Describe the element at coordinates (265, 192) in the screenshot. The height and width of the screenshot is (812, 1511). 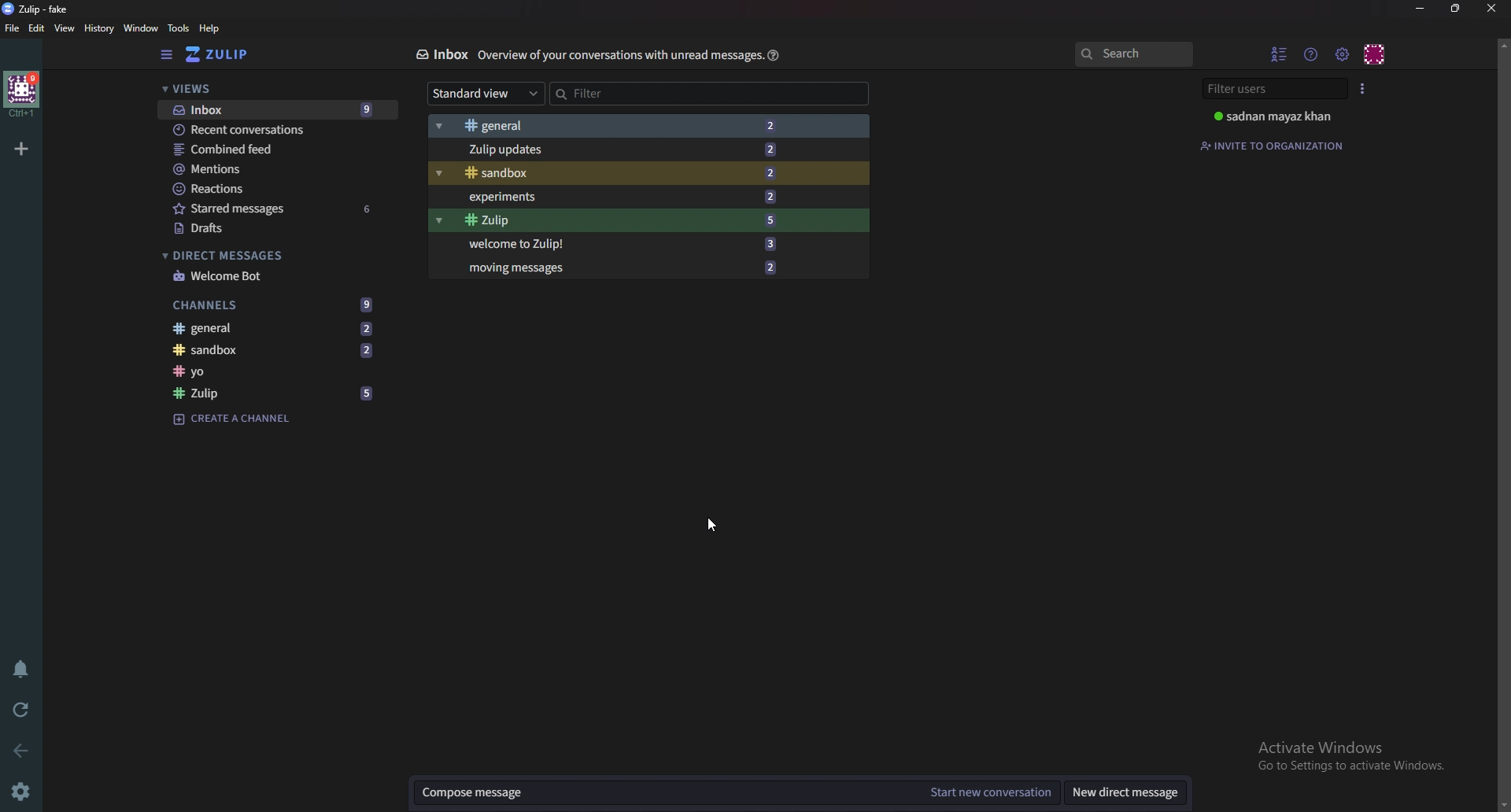
I see `Reactions` at that location.